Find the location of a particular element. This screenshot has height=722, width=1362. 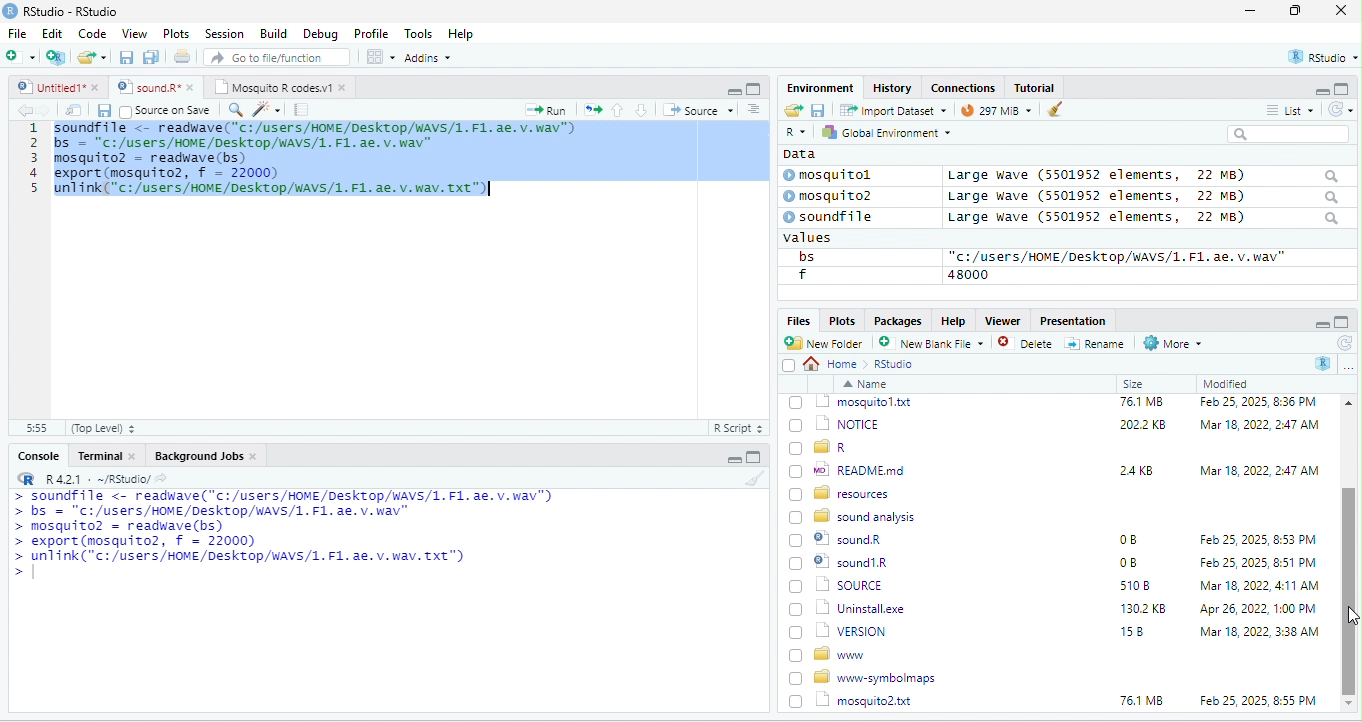

brush is located at coordinates (1044, 111).